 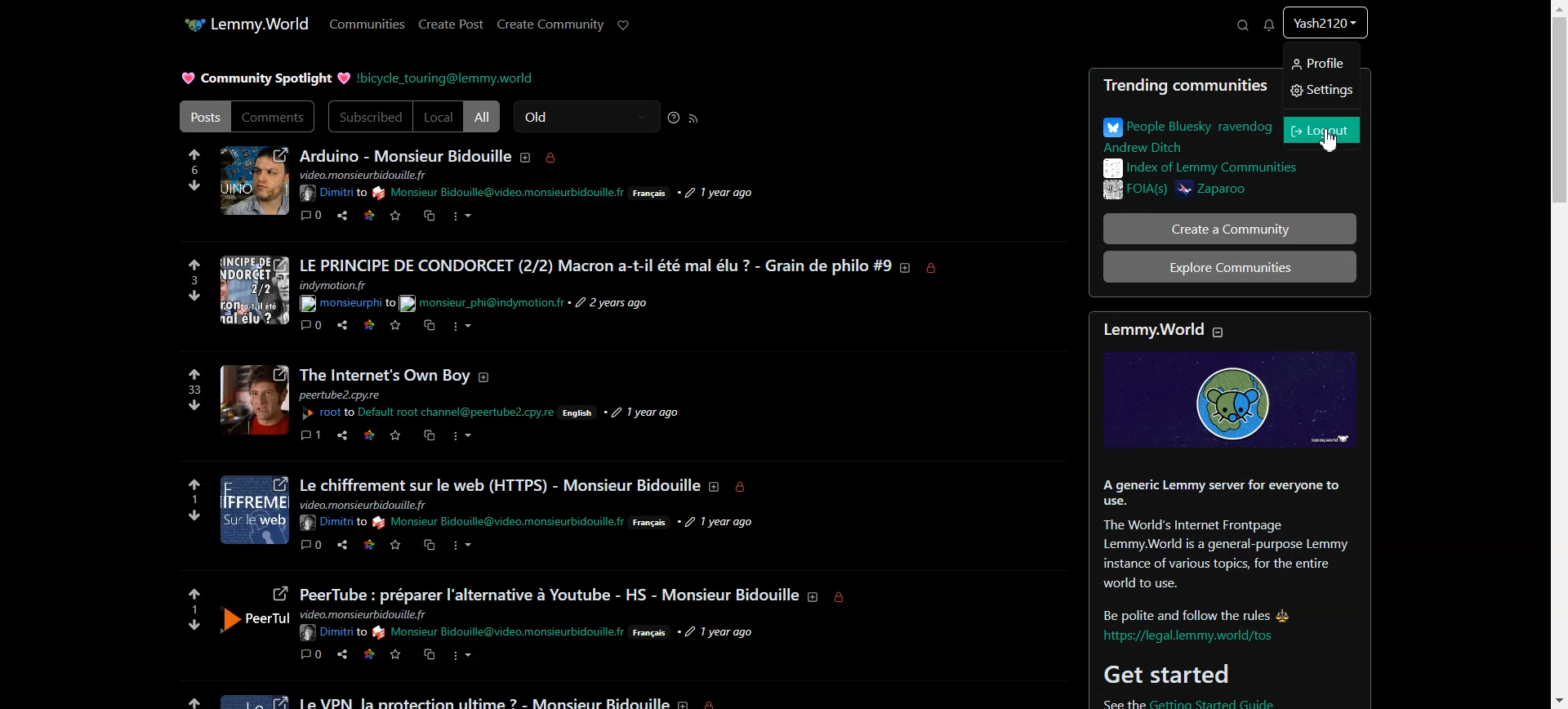 I want to click on Old, so click(x=587, y=116).